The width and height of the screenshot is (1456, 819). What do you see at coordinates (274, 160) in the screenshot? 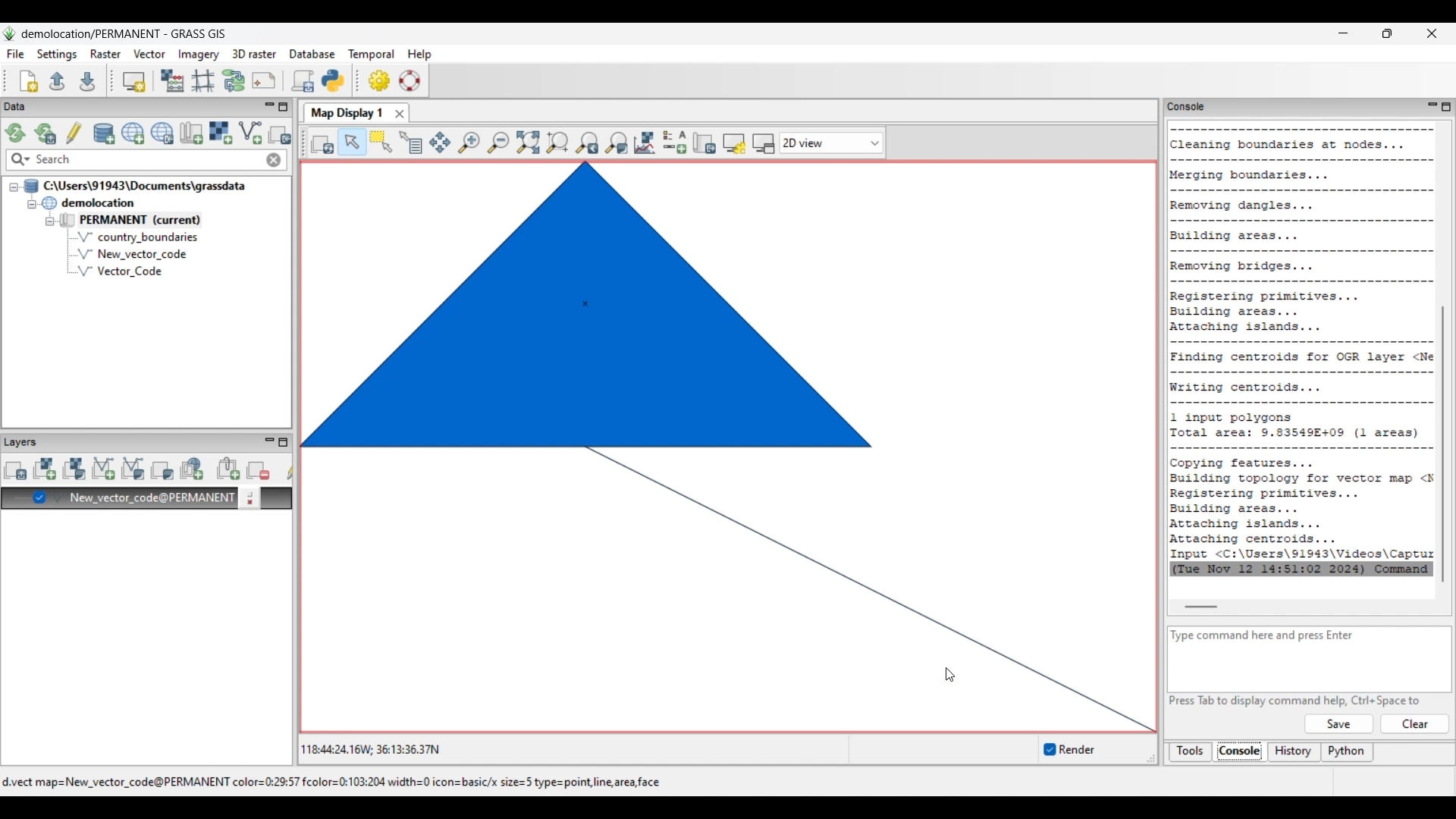
I see `Close input made to quick search` at bounding box center [274, 160].